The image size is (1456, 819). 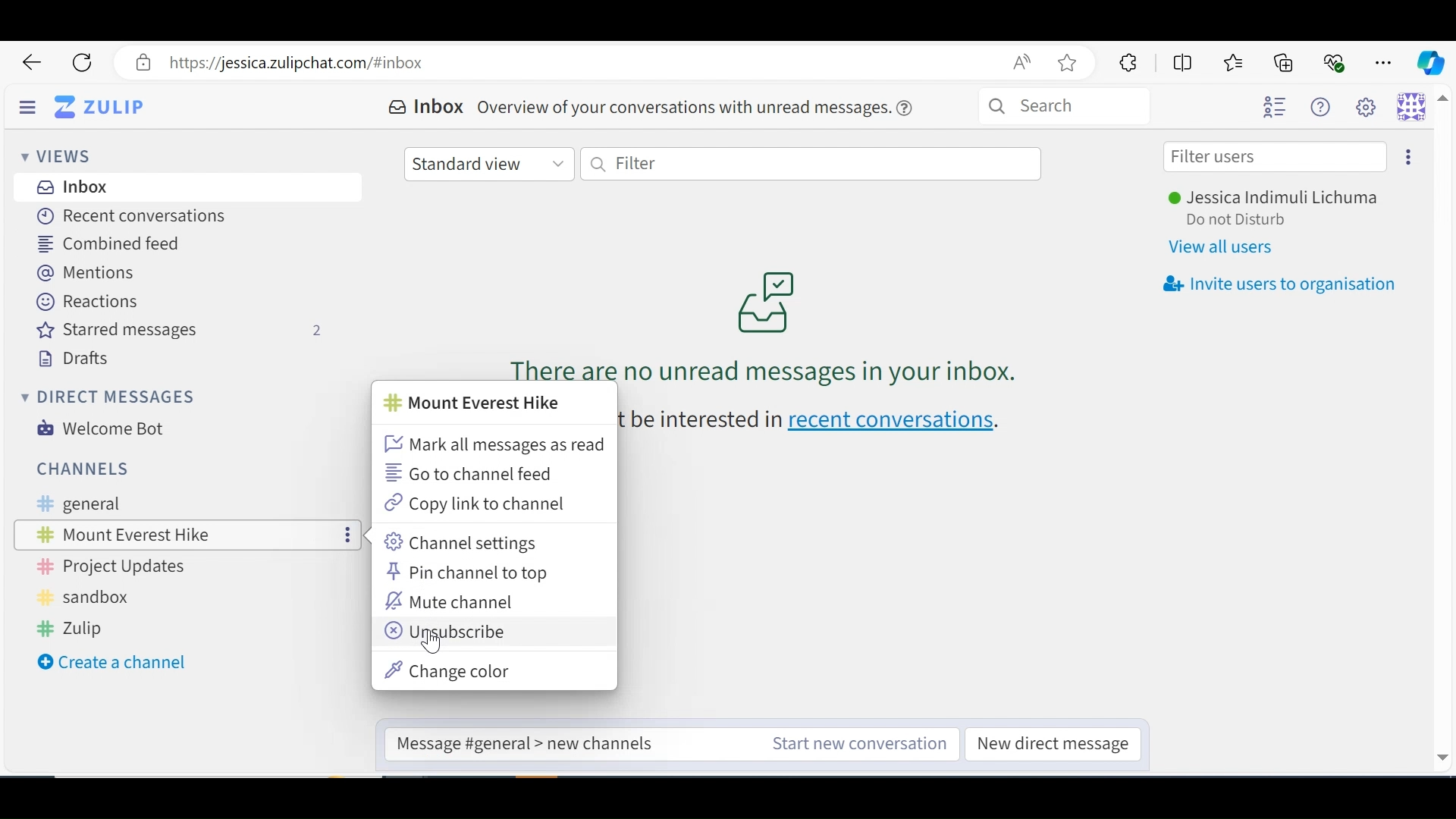 What do you see at coordinates (176, 505) in the screenshot?
I see `General Channel` at bounding box center [176, 505].